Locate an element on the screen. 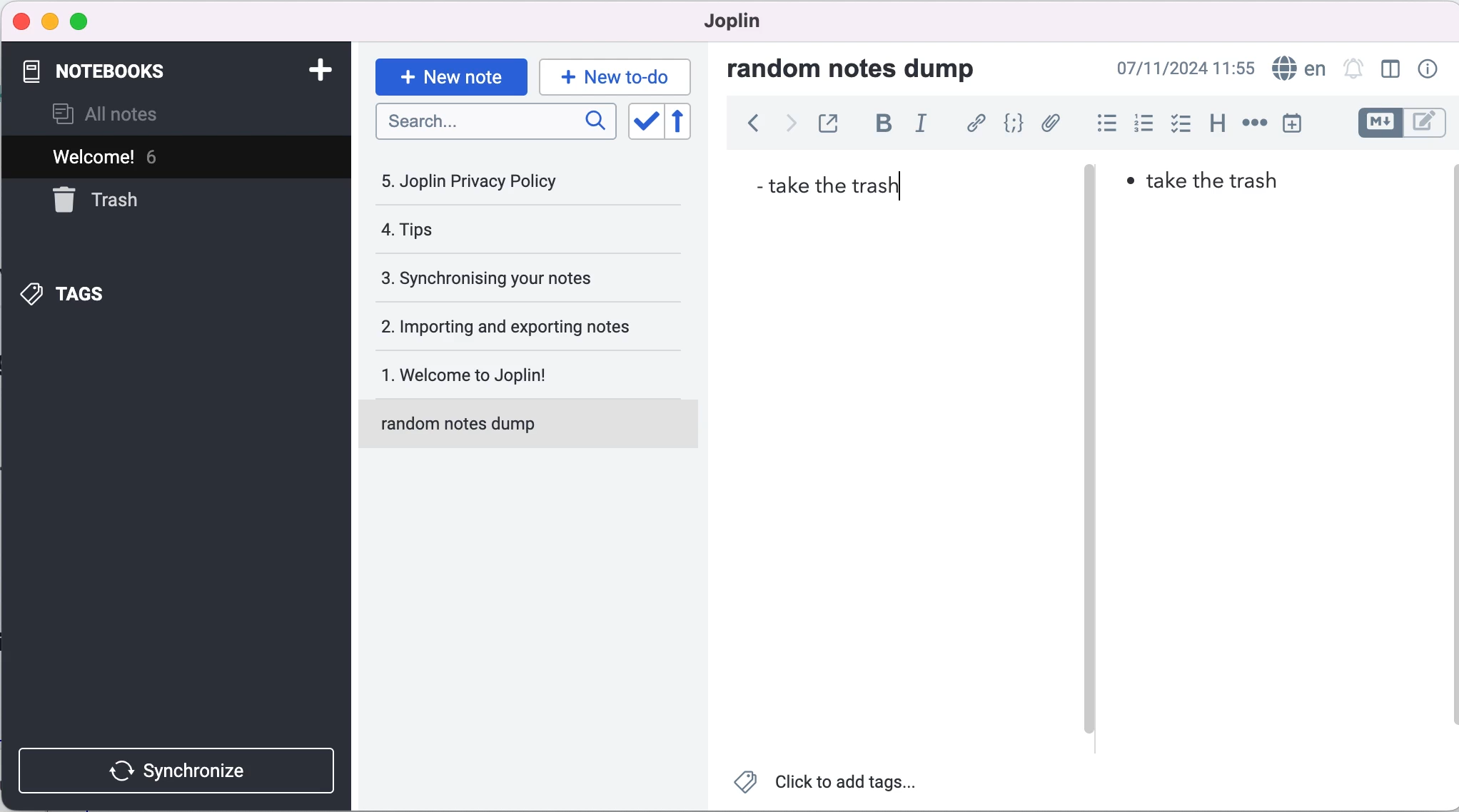  toggle external editing is located at coordinates (828, 125).